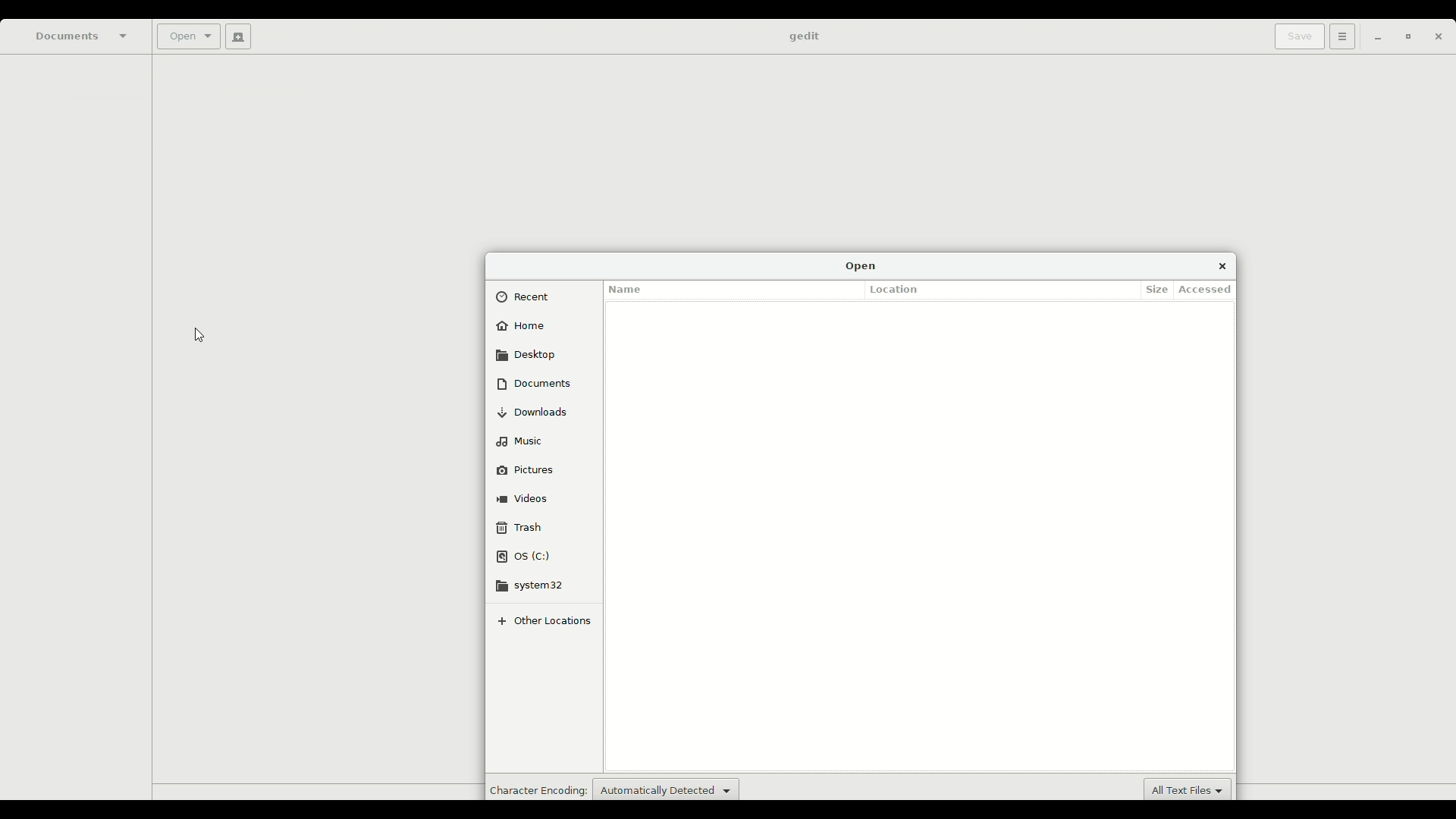 The image size is (1456, 819). Describe the element at coordinates (539, 412) in the screenshot. I see `Downloads` at that location.